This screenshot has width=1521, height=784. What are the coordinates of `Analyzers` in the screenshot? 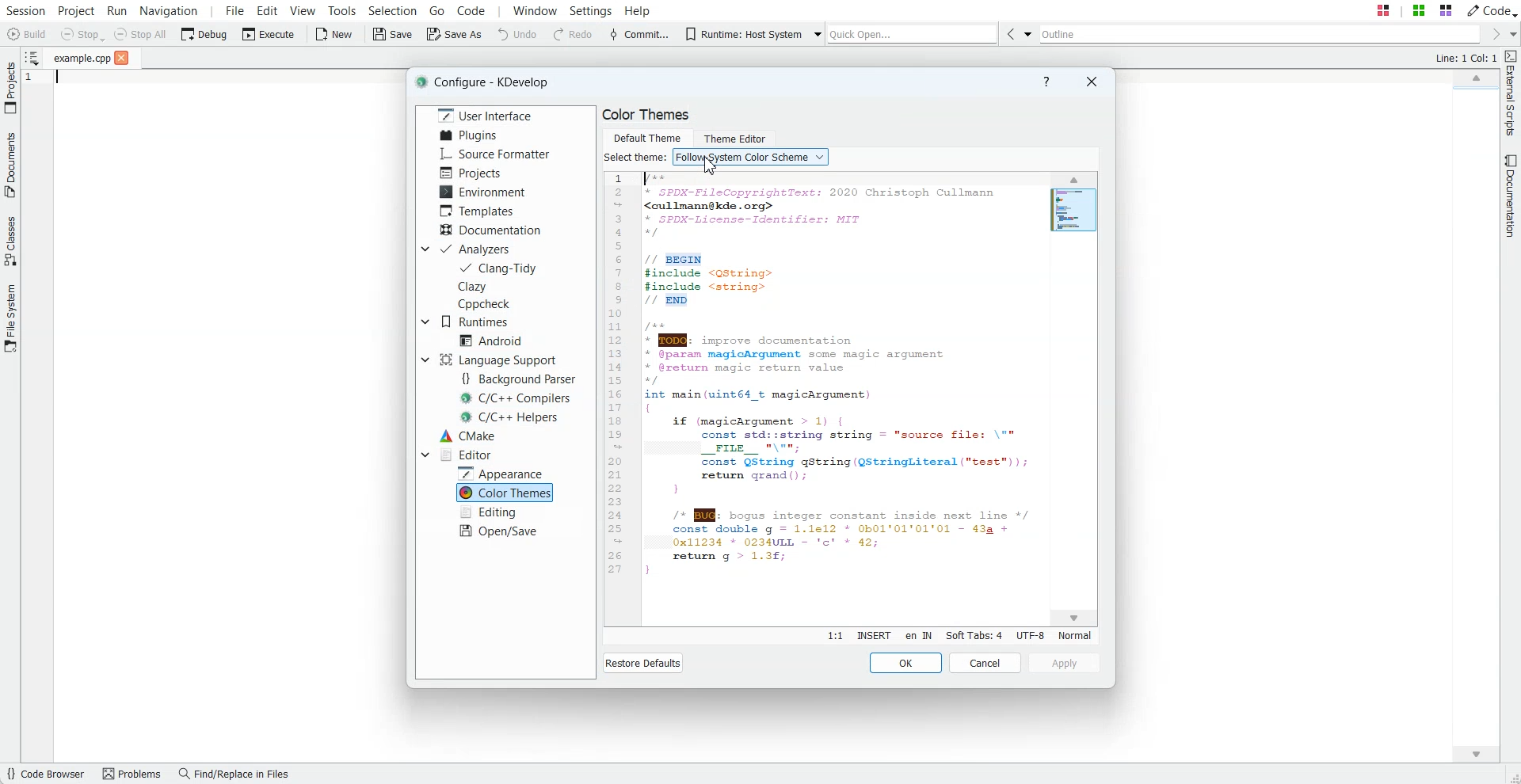 It's located at (478, 249).